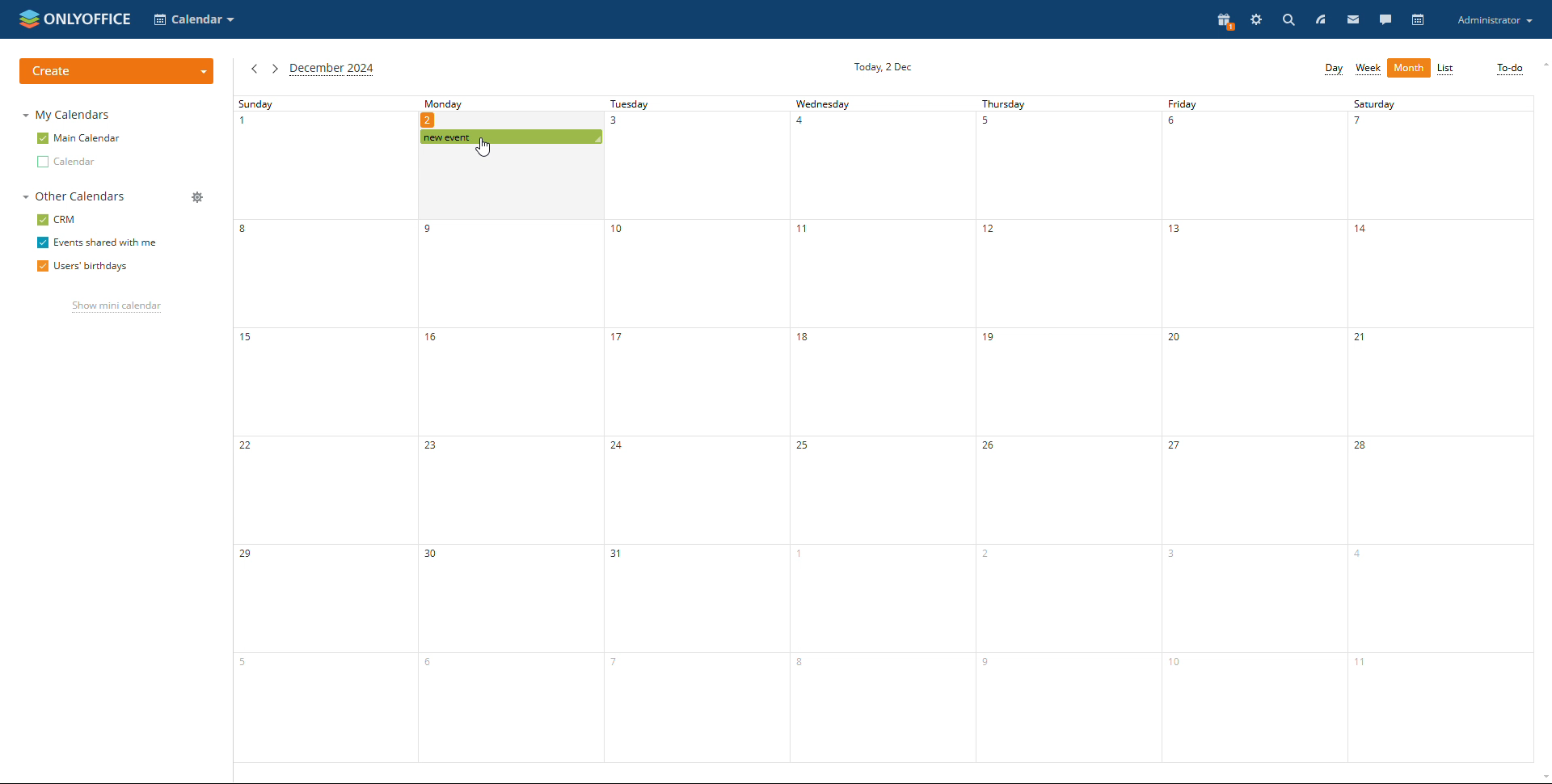  What do you see at coordinates (881, 66) in the screenshot?
I see `current date` at bounding box center [881, 66].